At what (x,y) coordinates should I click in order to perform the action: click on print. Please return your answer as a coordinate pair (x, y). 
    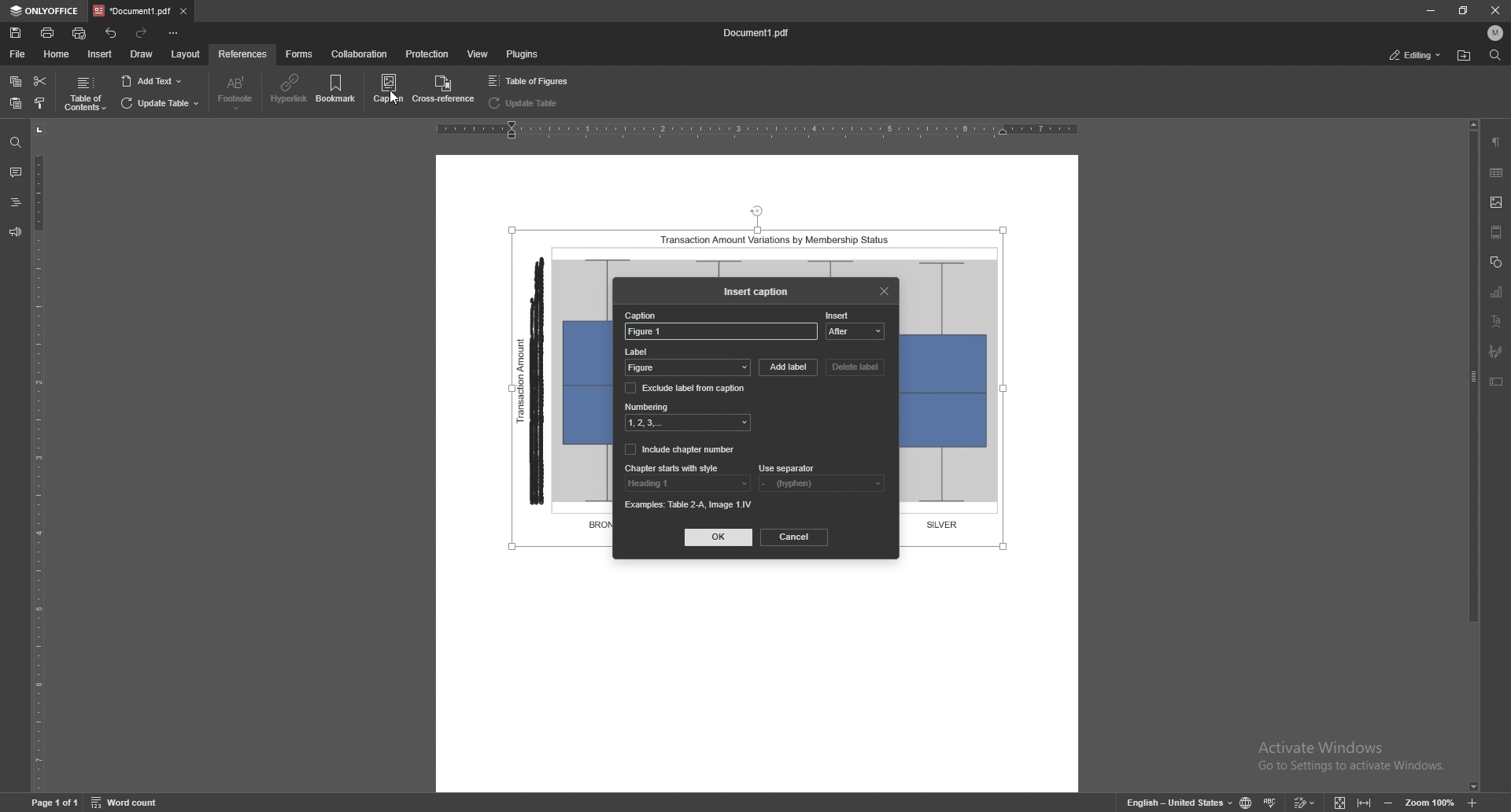
    Looking at the image, I should click on (47, 32).